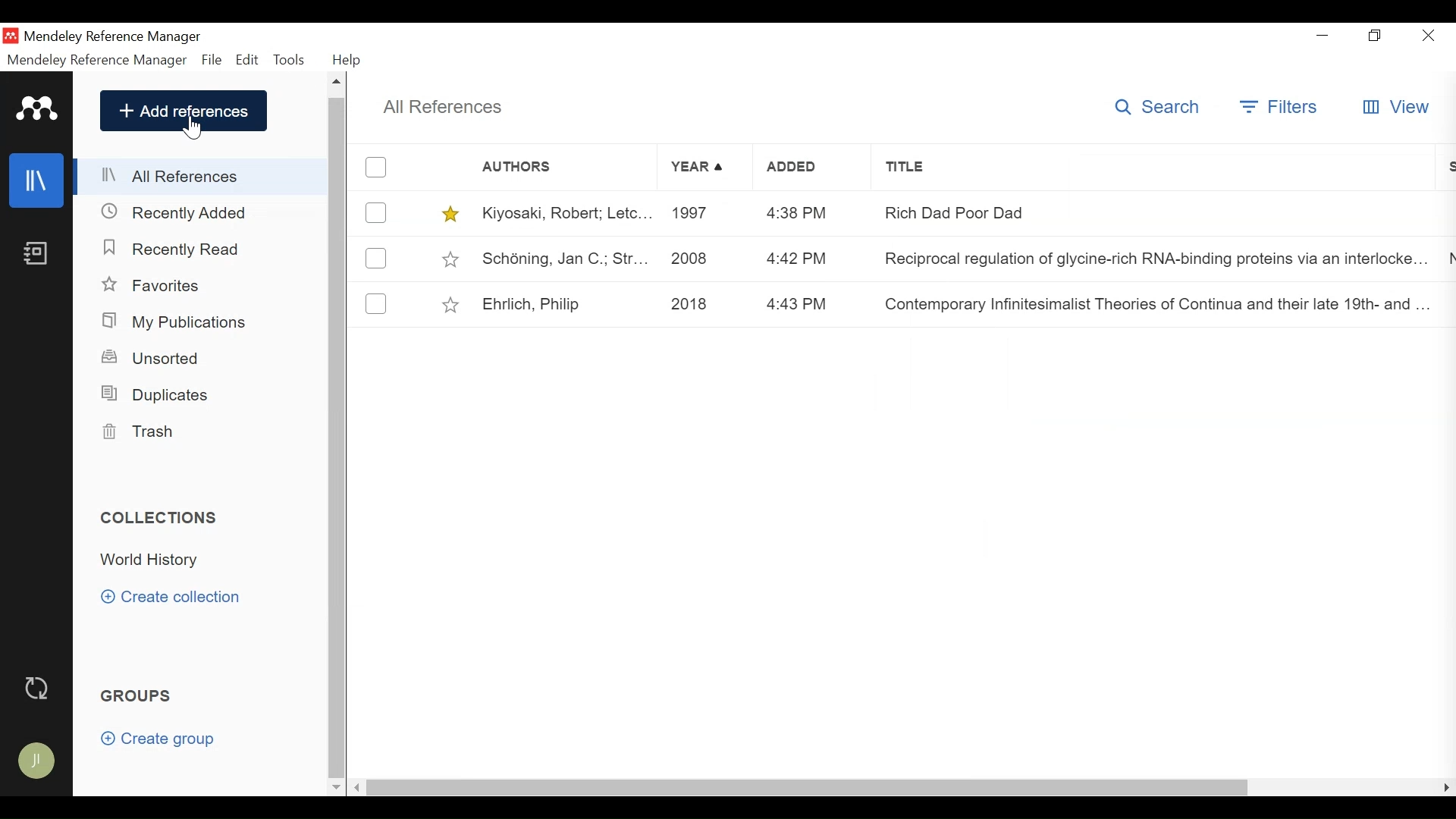 The width and height of the screenshot is (1456, 819). What do you see at coordinates (697, 166) in the screenshot?
I see `Year` at bounding box center [697, 166].